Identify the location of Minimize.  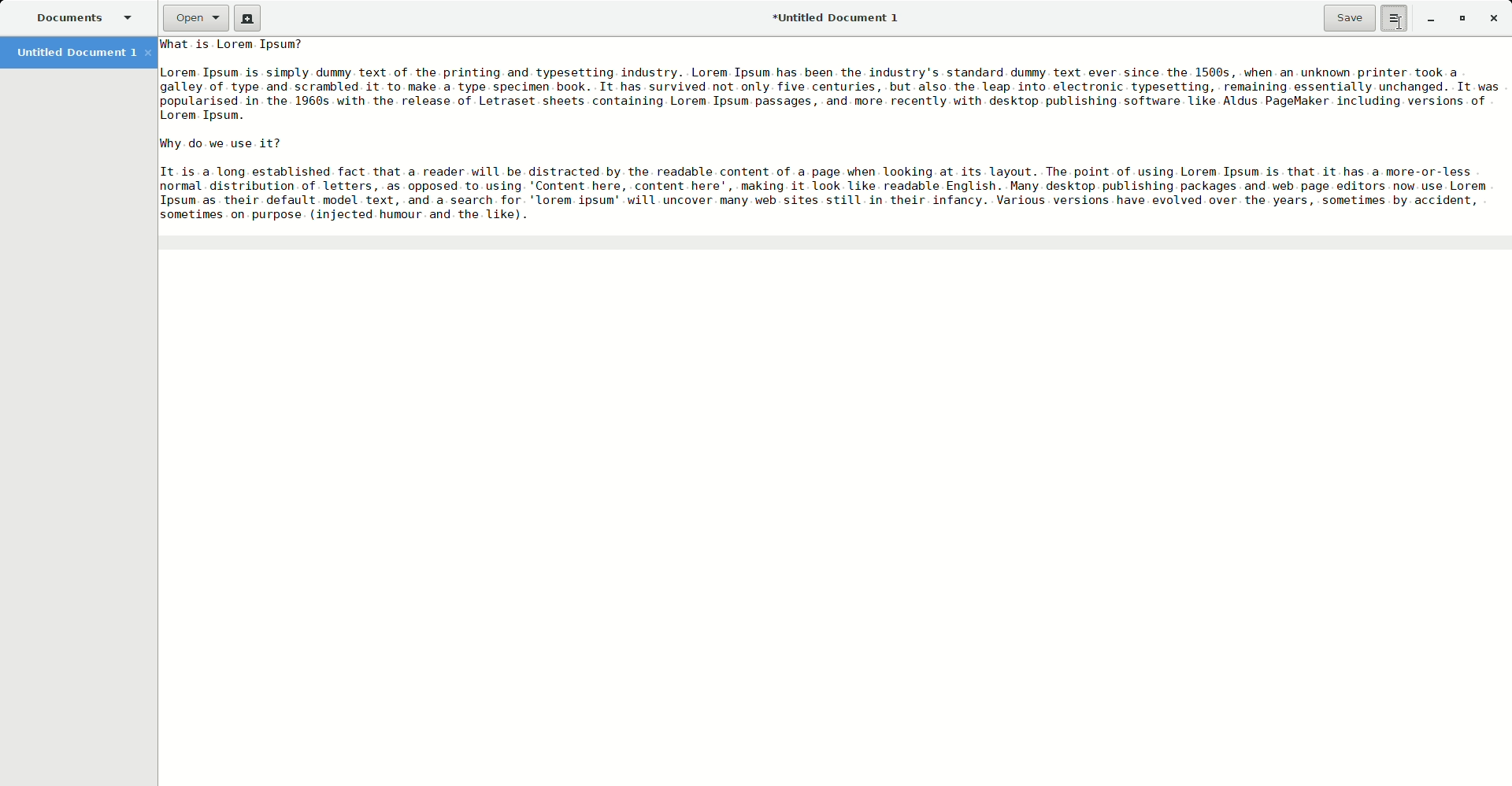
(1426, 20).